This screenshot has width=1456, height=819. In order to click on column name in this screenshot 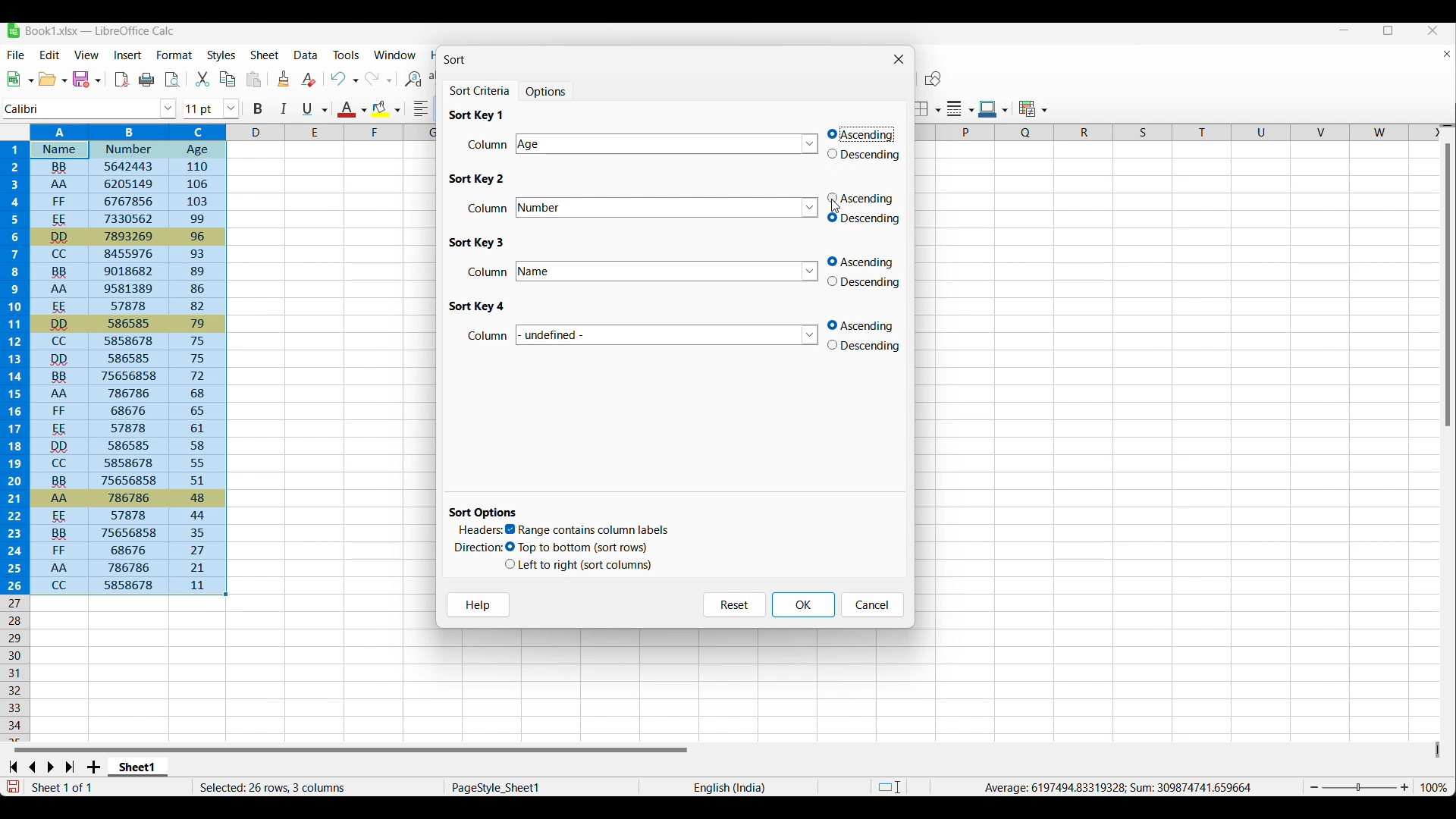, I will do `click(668, 334)`.